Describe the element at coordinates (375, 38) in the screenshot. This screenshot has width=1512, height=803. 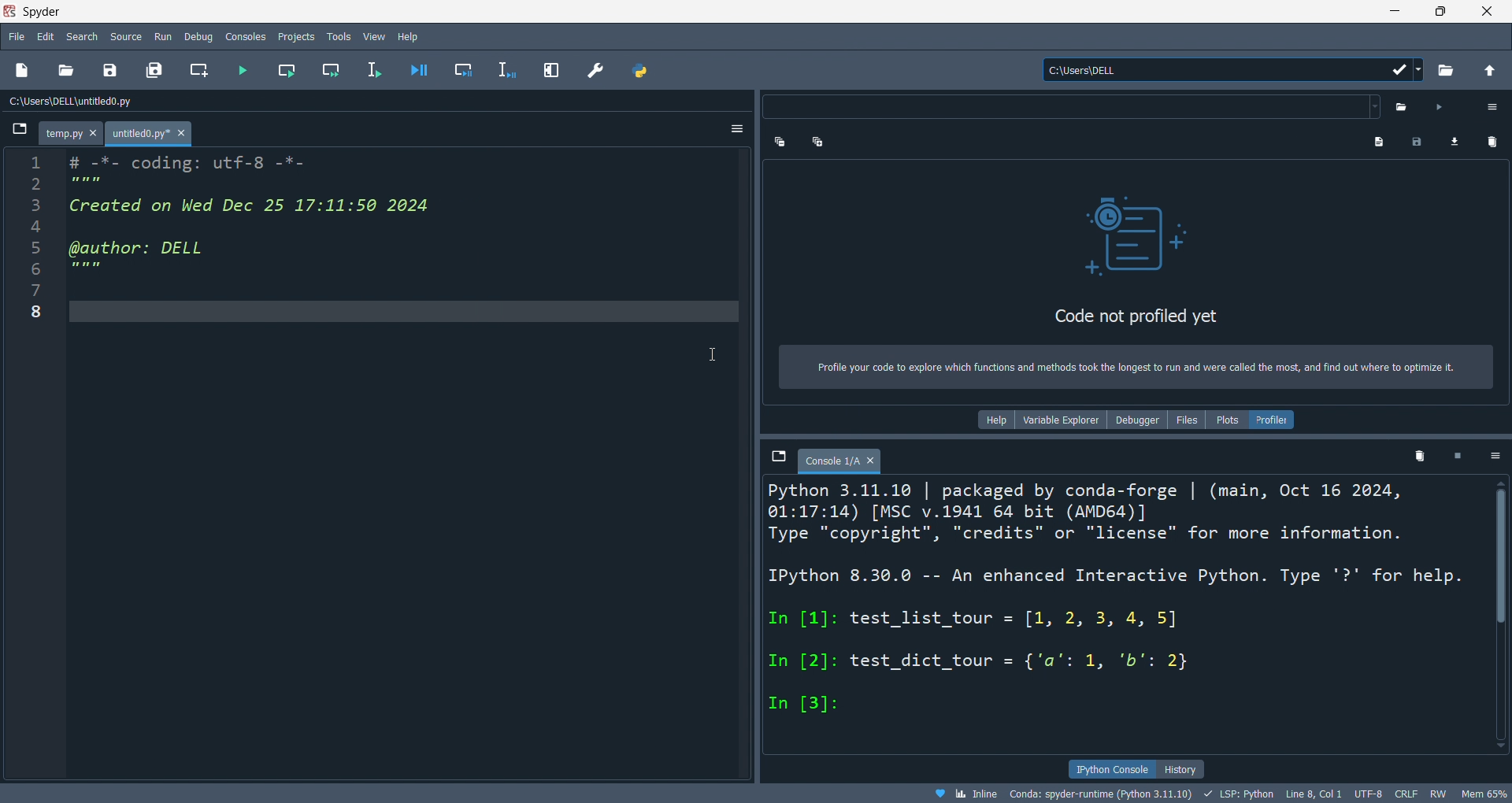
I see `view` at that location.